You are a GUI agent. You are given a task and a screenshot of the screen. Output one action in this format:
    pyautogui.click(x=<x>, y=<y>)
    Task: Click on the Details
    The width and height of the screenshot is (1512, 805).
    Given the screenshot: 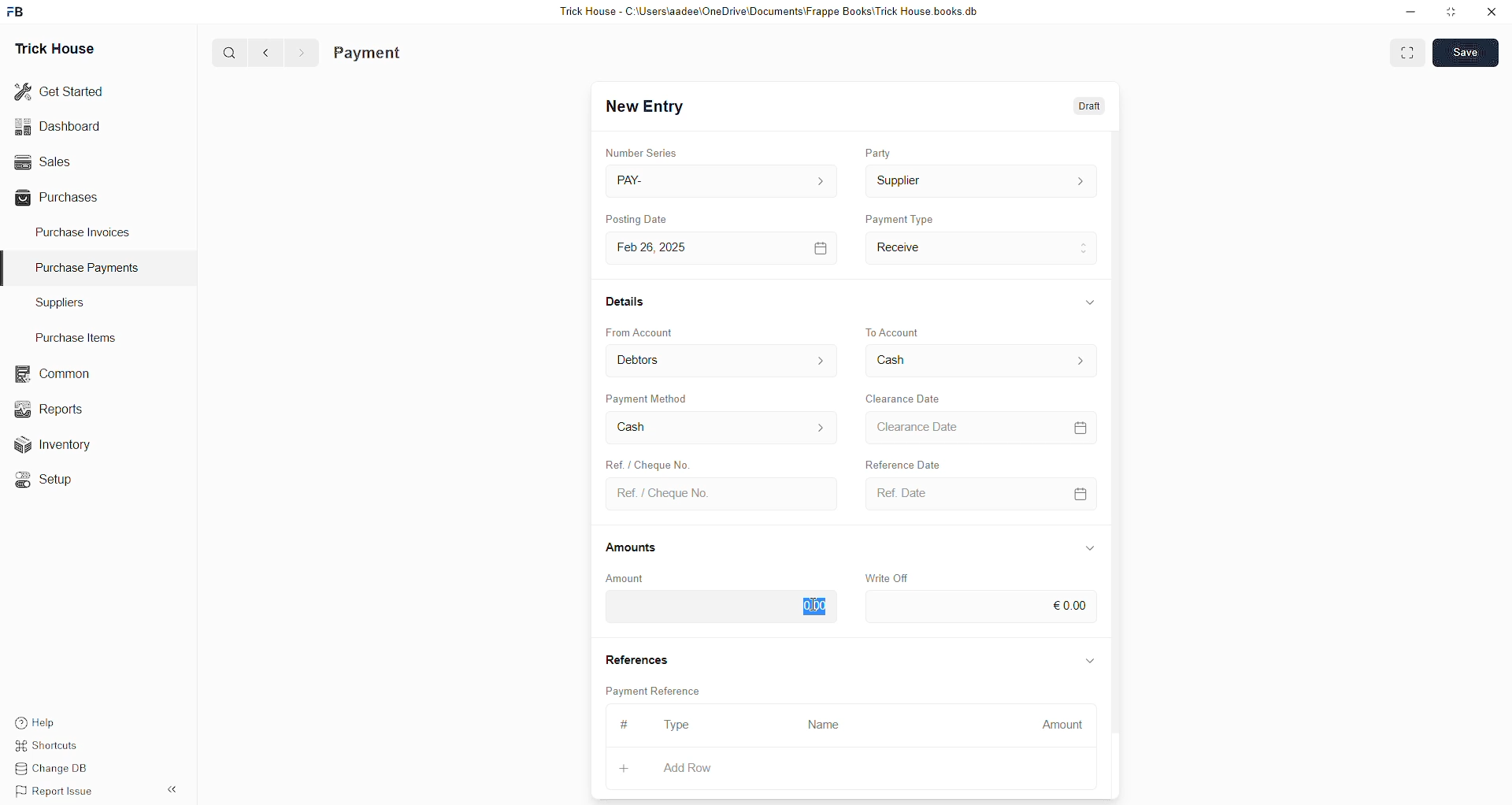 What is the action you would take?
    pyautogui.click(x=625, y=302)
    